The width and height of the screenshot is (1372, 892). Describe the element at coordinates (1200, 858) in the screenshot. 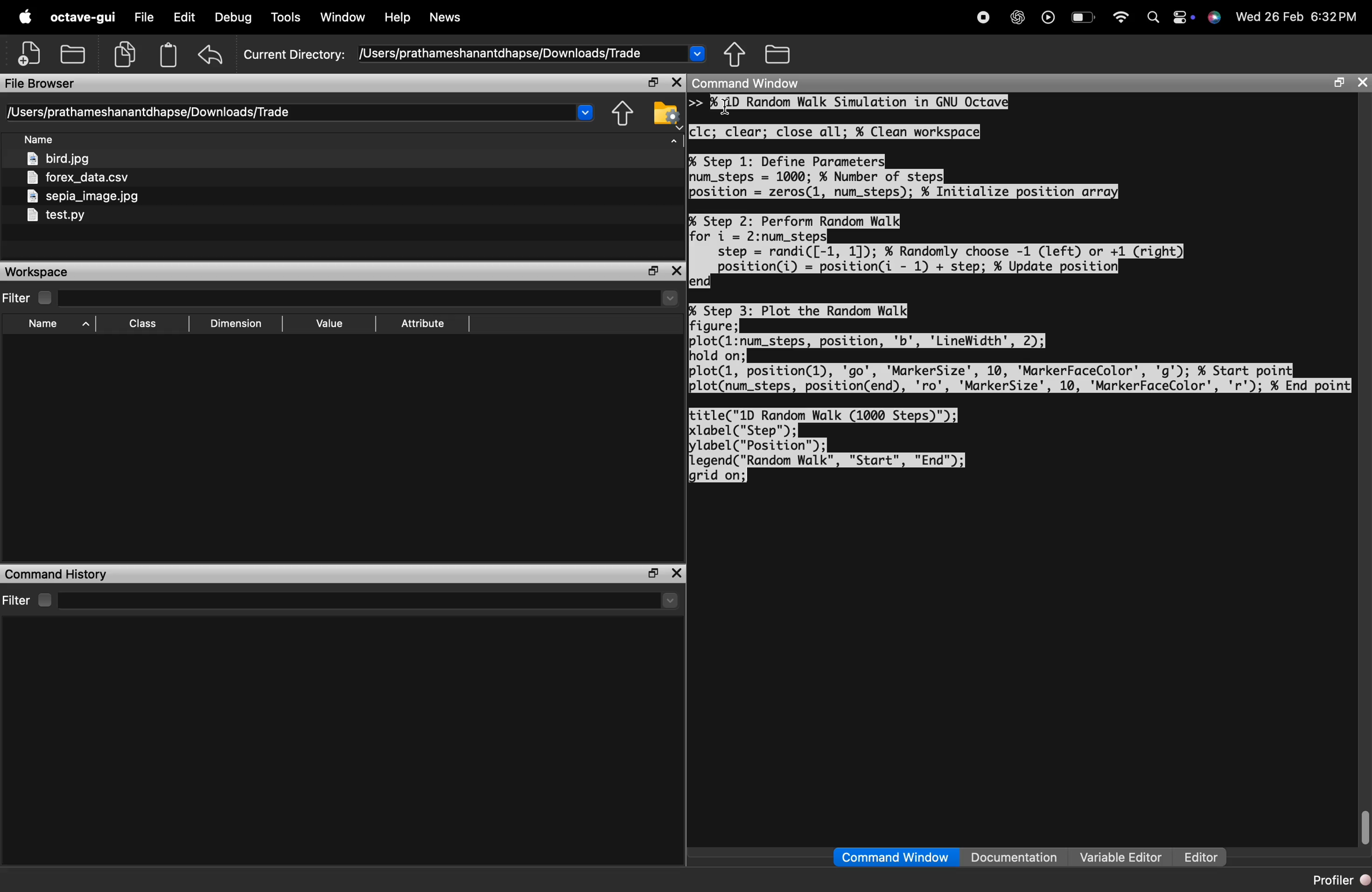

I see `editor` at that location.